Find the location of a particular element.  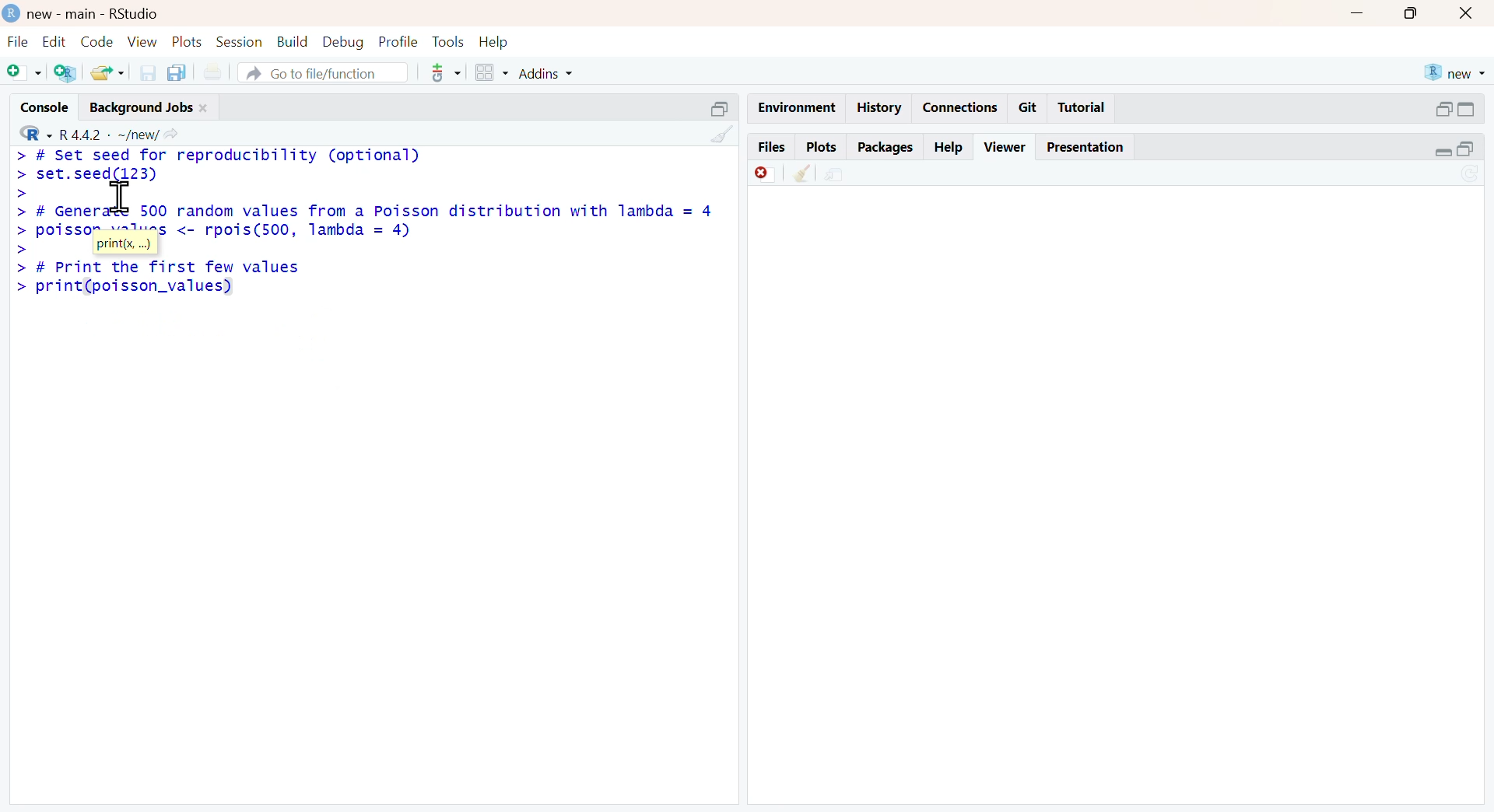

discard is located at coordinates (767, 174).